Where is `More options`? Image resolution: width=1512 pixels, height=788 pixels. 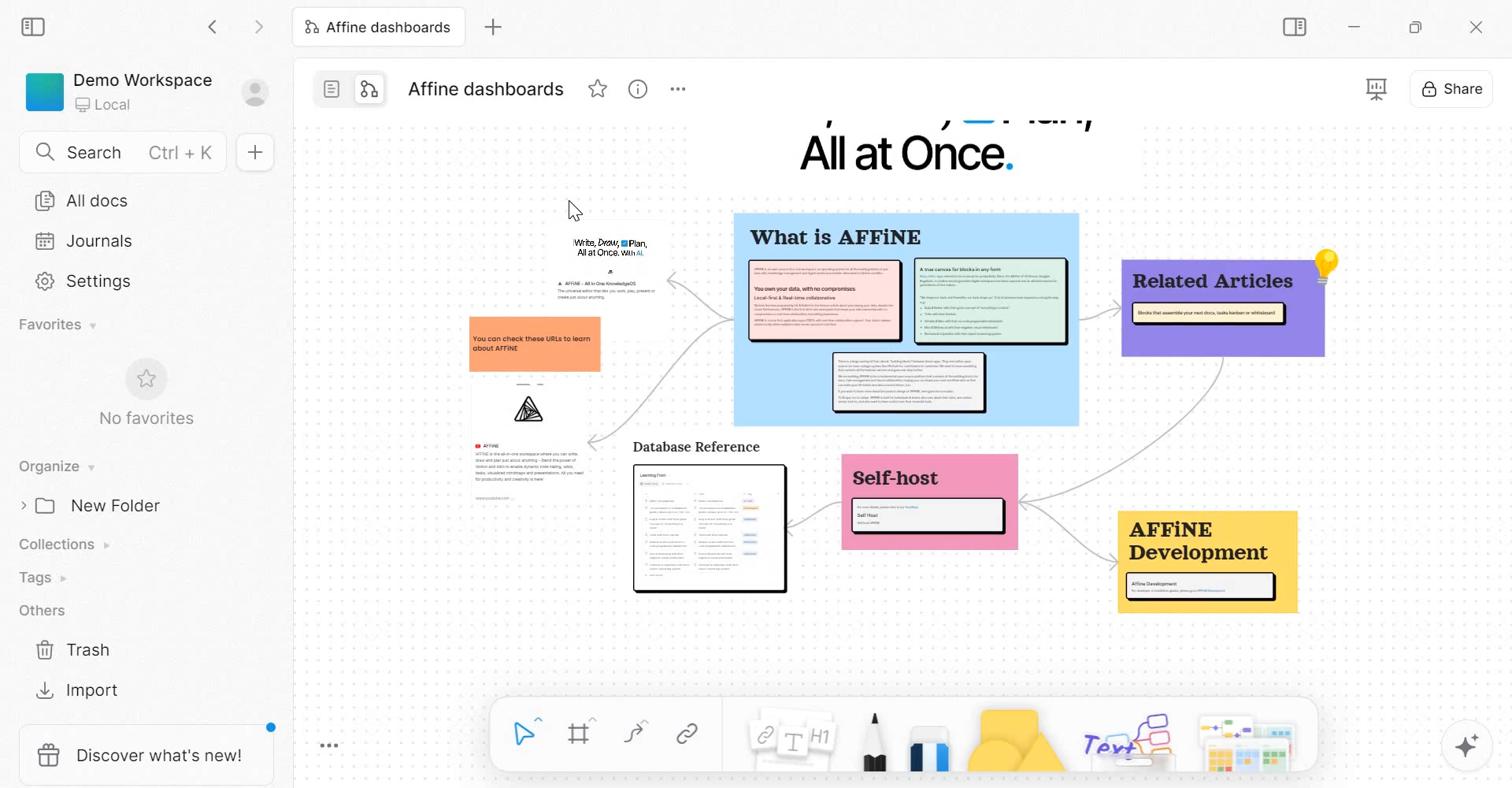 More options is located at coordinates (681, 91).